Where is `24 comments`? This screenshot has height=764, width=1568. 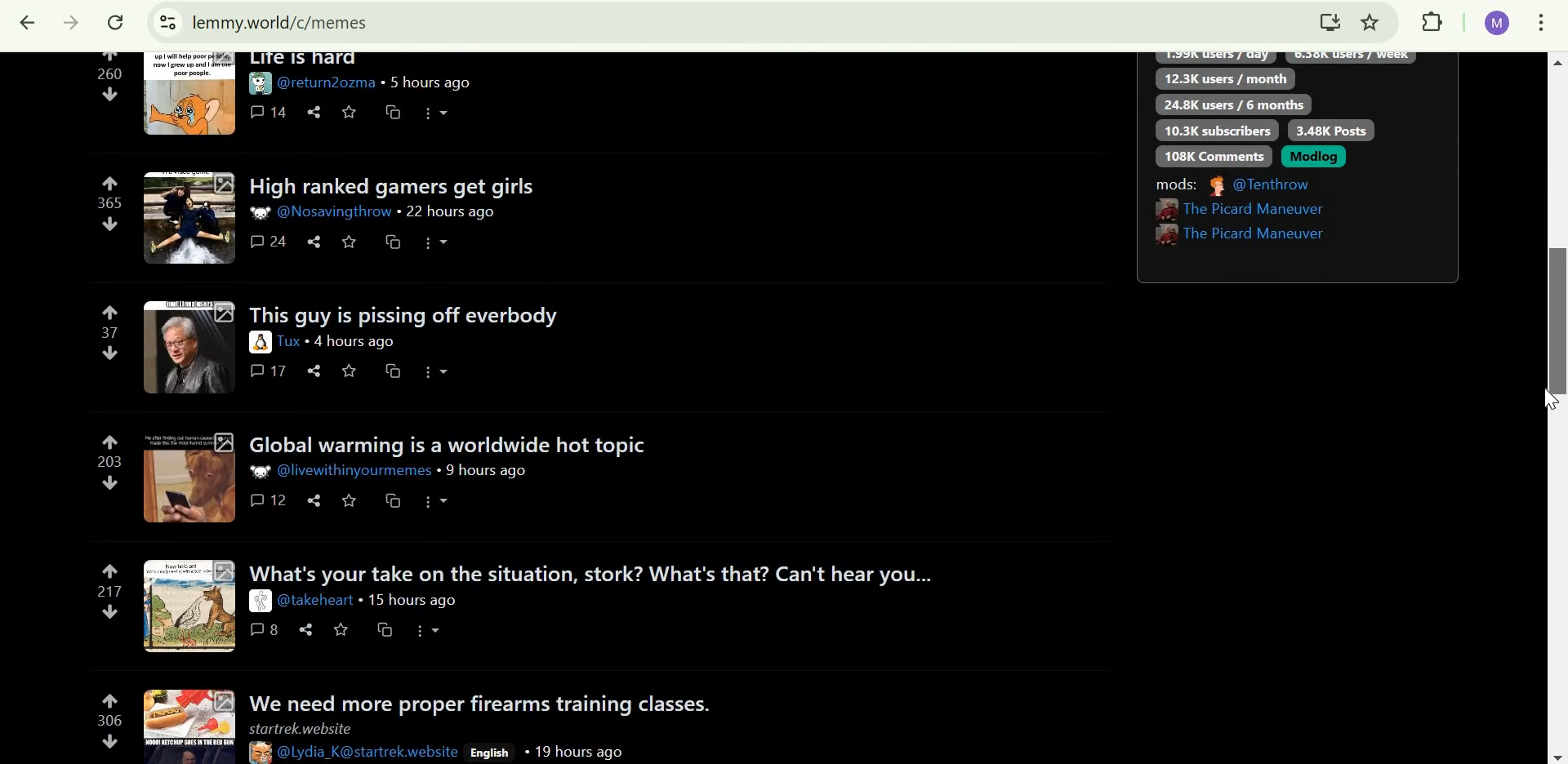 24 comments is located at coordinates (271, 242).